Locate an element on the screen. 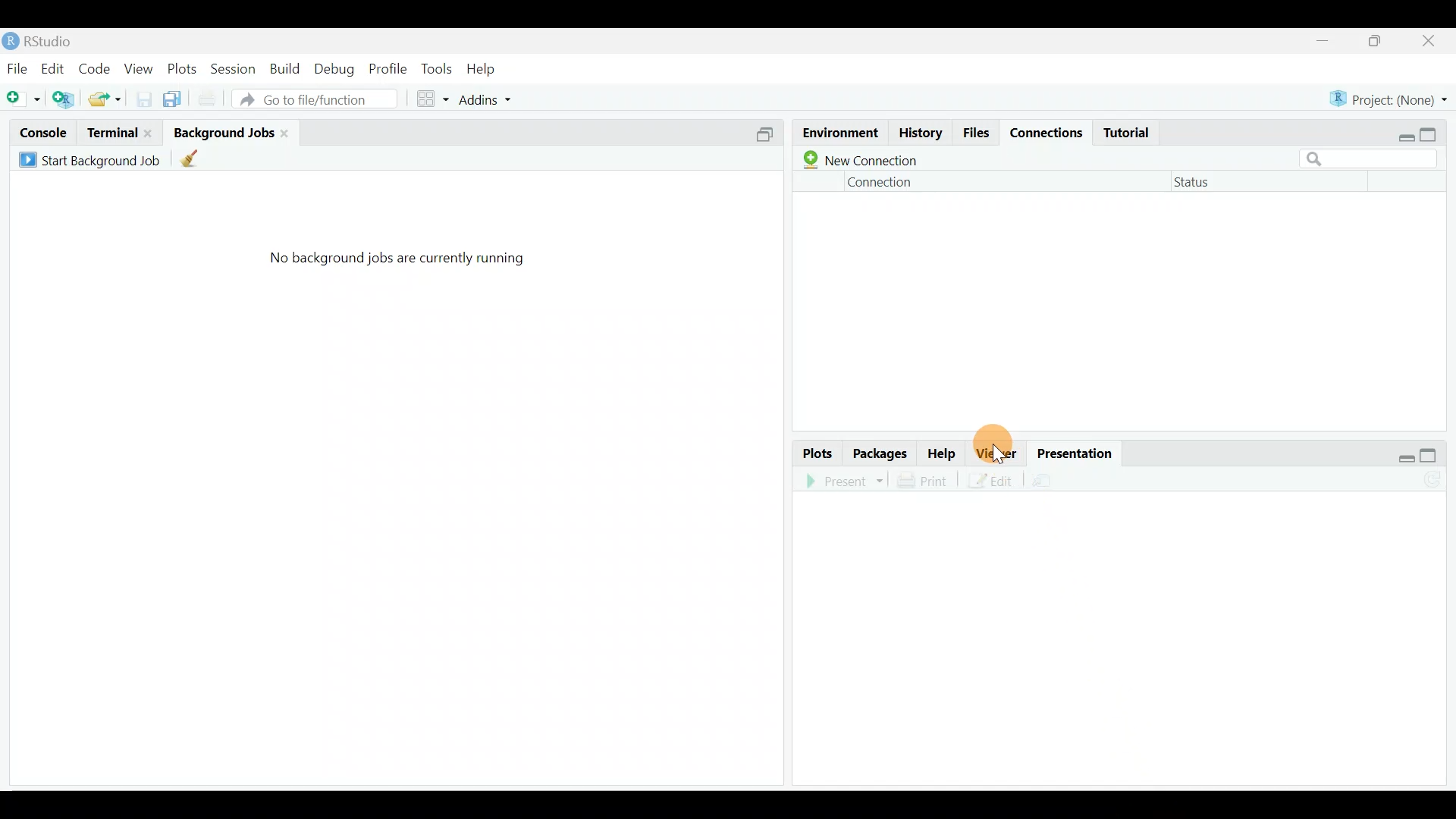  close terminal is located at coordinates (151, 129).